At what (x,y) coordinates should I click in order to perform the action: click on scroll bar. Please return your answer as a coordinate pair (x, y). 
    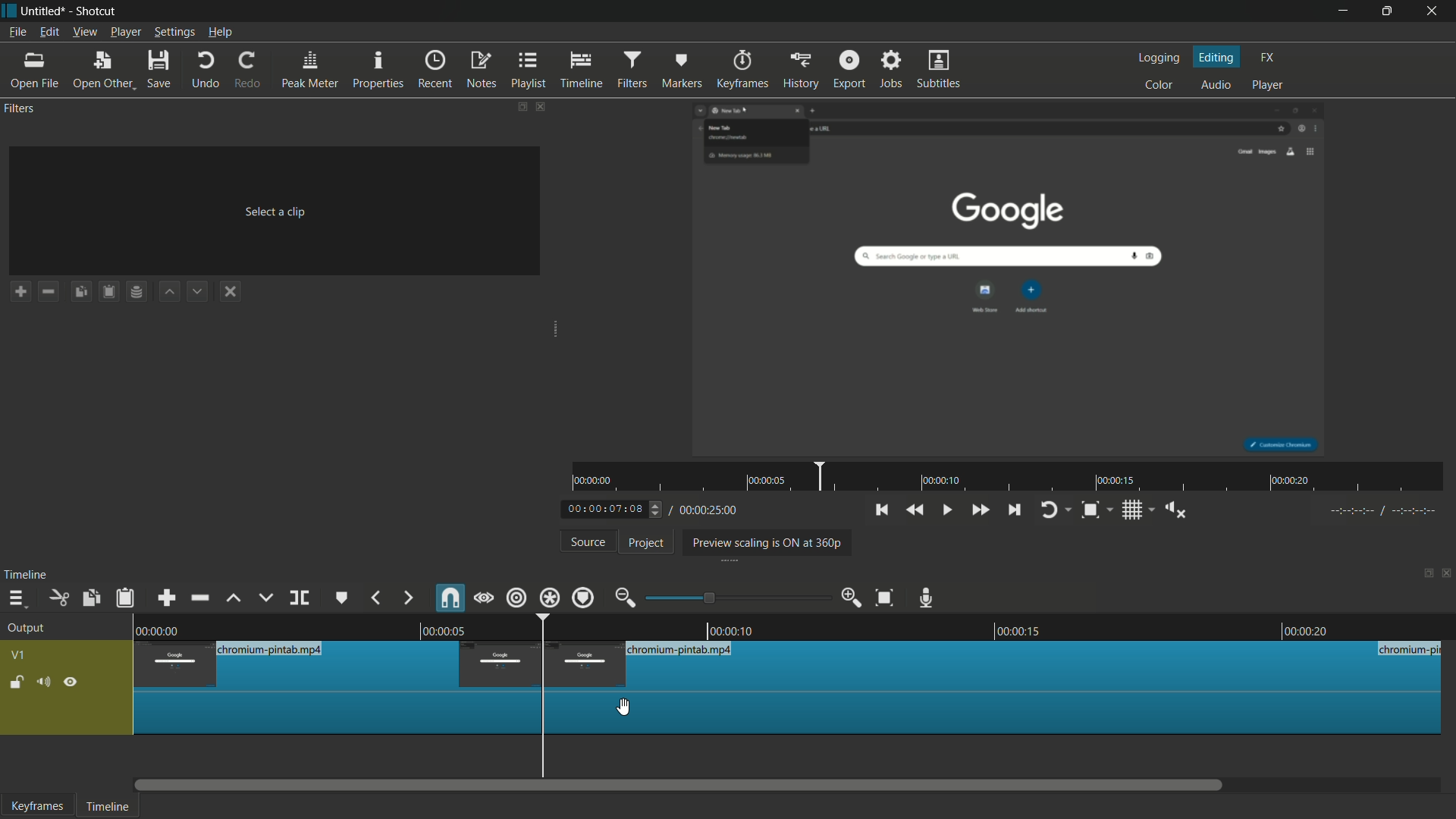
    Looking at the image, I should click on (679, 785).